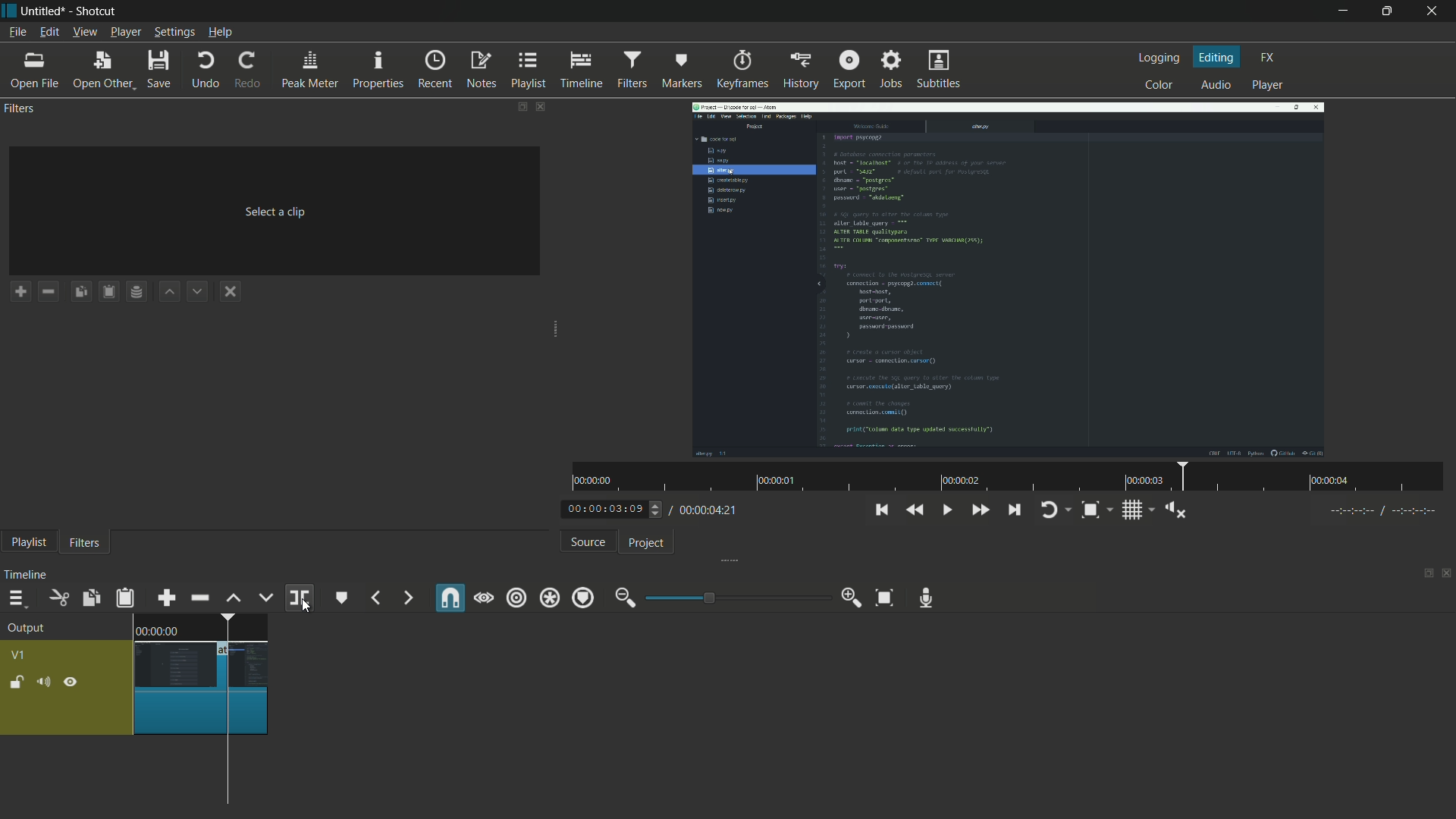  I want to click on logging, so click(1159, 57).